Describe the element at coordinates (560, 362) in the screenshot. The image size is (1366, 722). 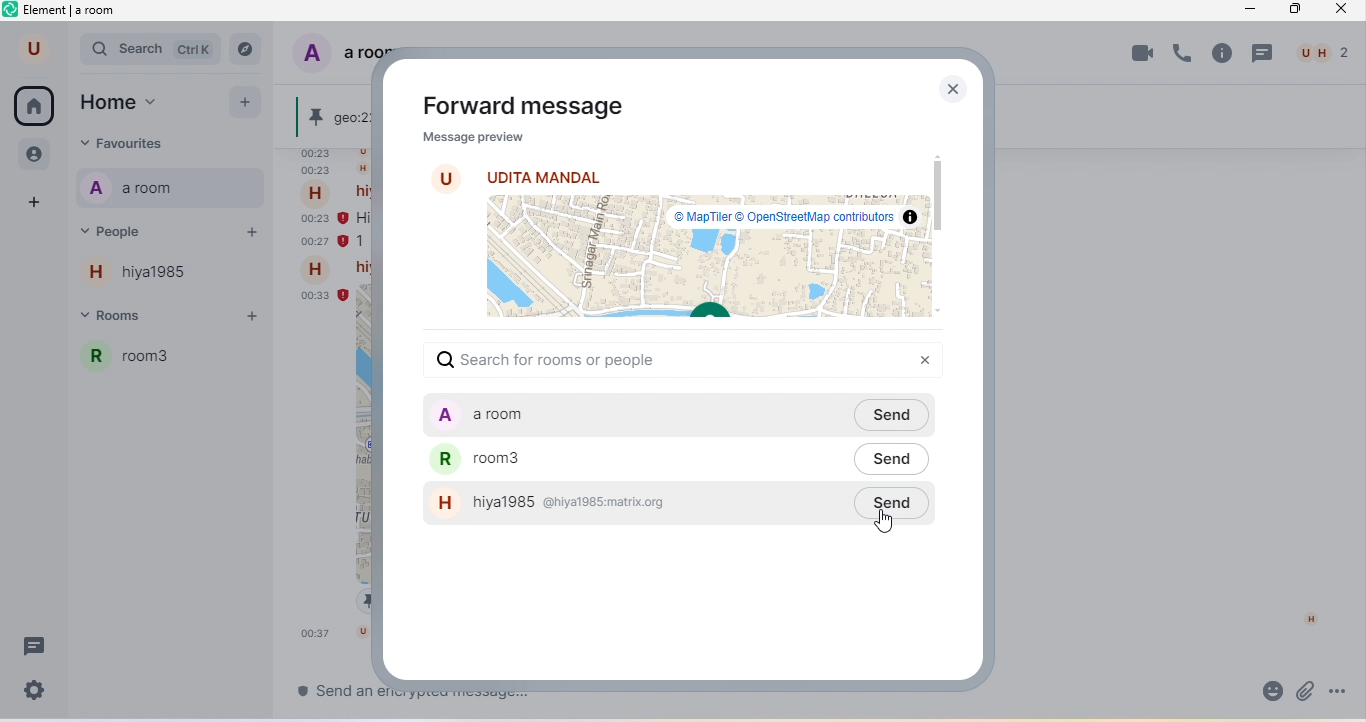
I see `search for room or people` at that location.